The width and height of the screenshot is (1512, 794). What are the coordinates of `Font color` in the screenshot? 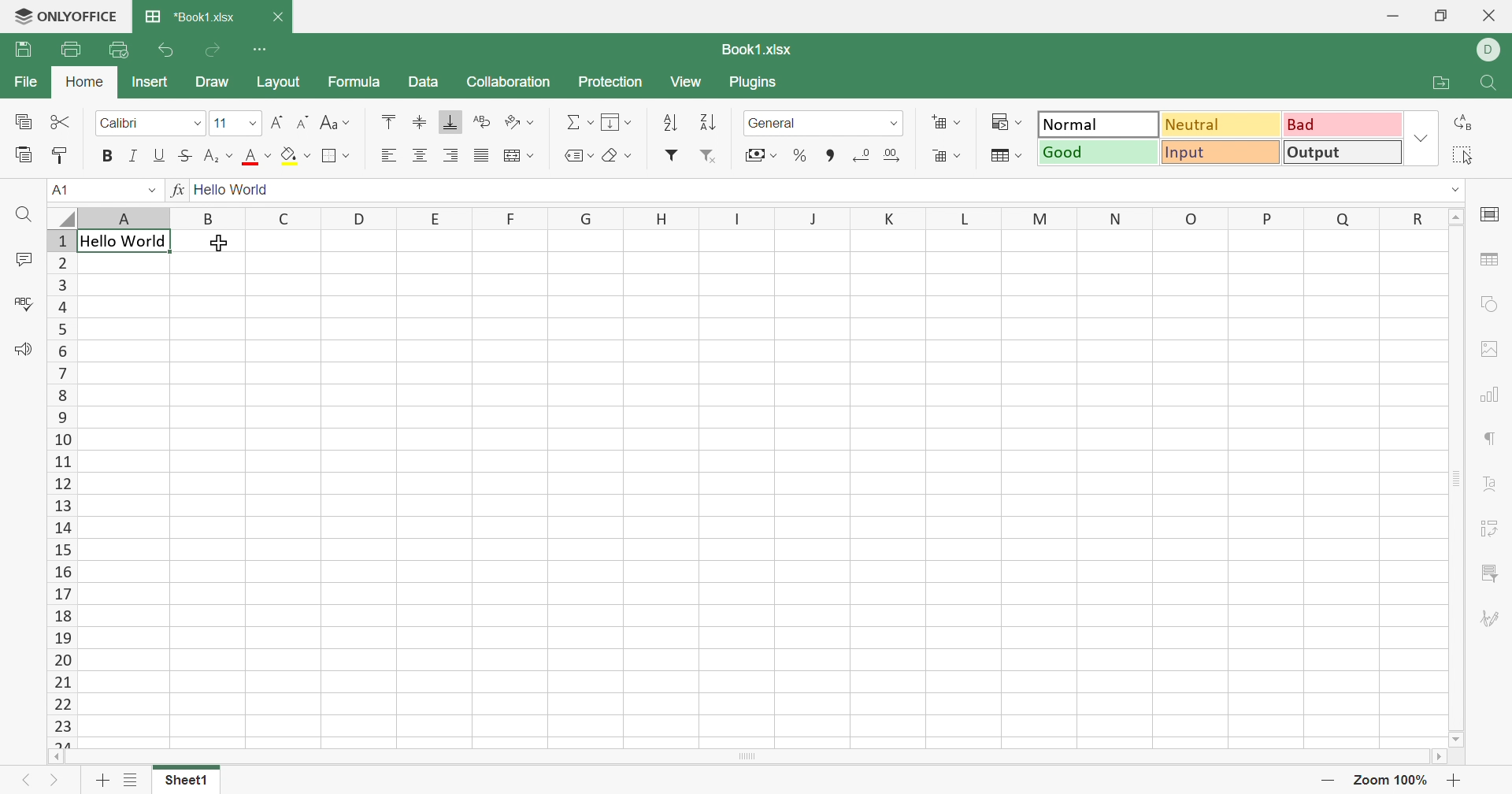 It's located at (258, 157).